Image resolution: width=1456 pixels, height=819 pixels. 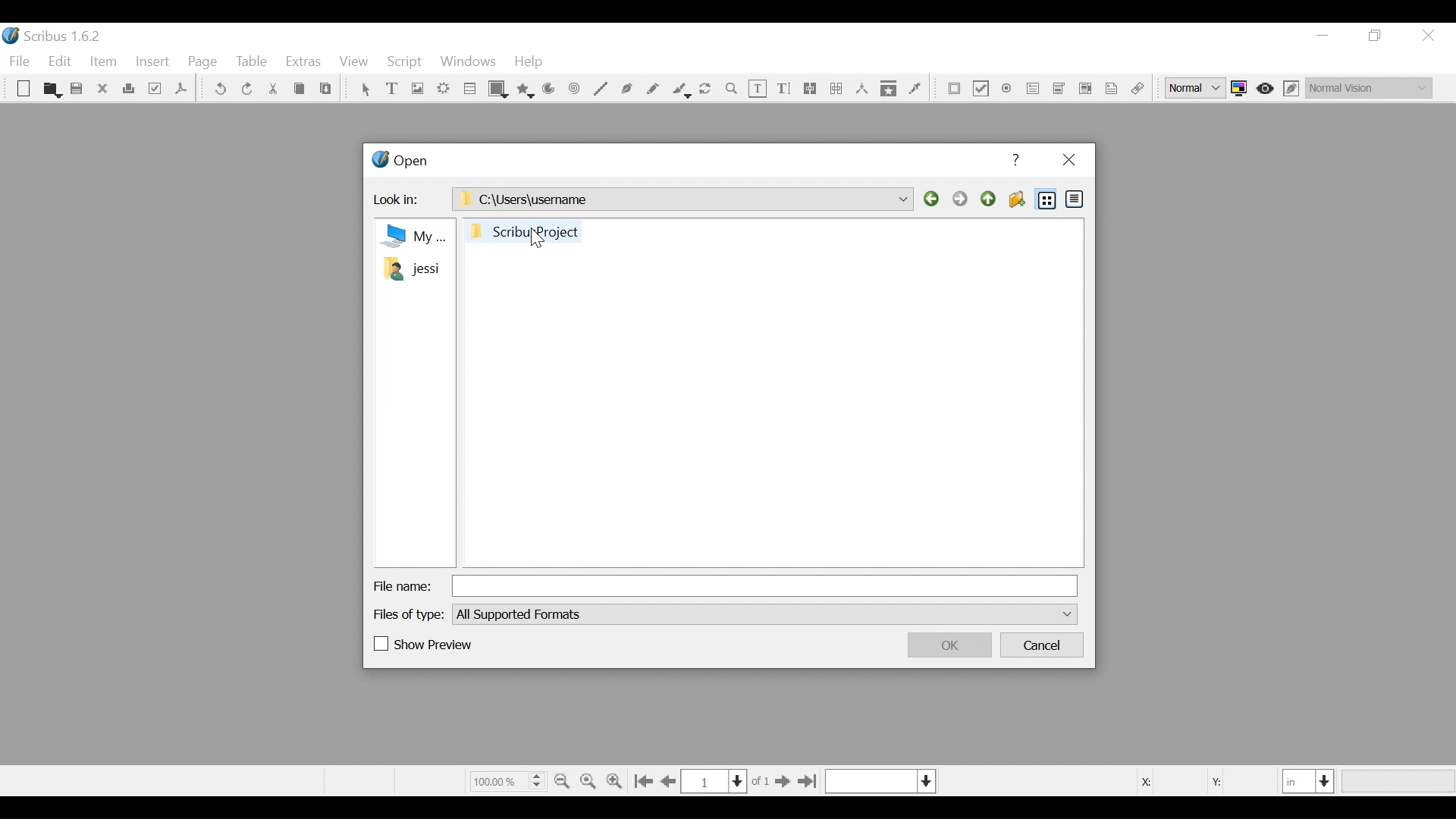 I want to click on Cut, so click(x=272, y=89).